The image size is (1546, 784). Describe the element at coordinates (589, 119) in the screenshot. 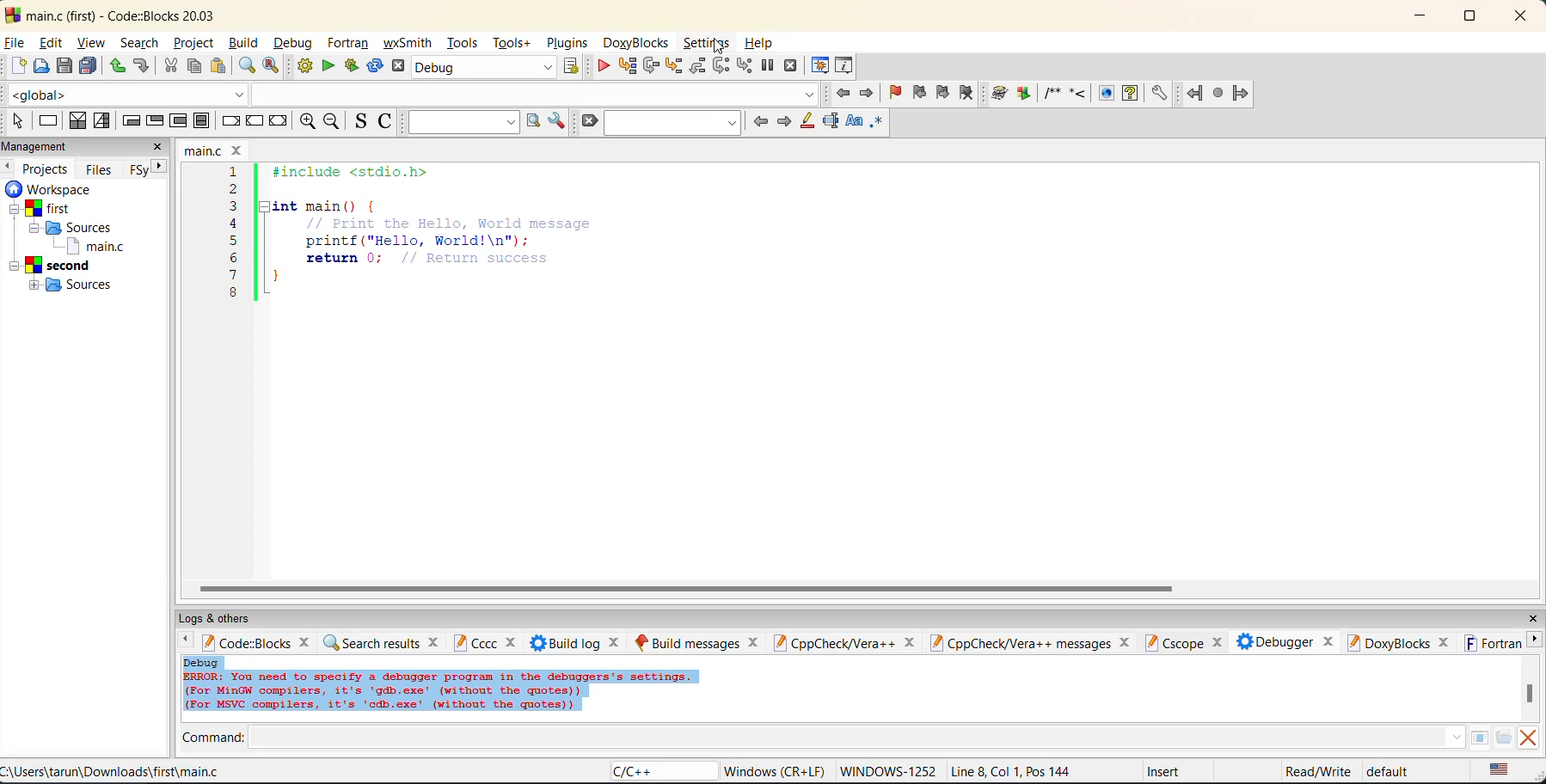

I see `clear` at that location.